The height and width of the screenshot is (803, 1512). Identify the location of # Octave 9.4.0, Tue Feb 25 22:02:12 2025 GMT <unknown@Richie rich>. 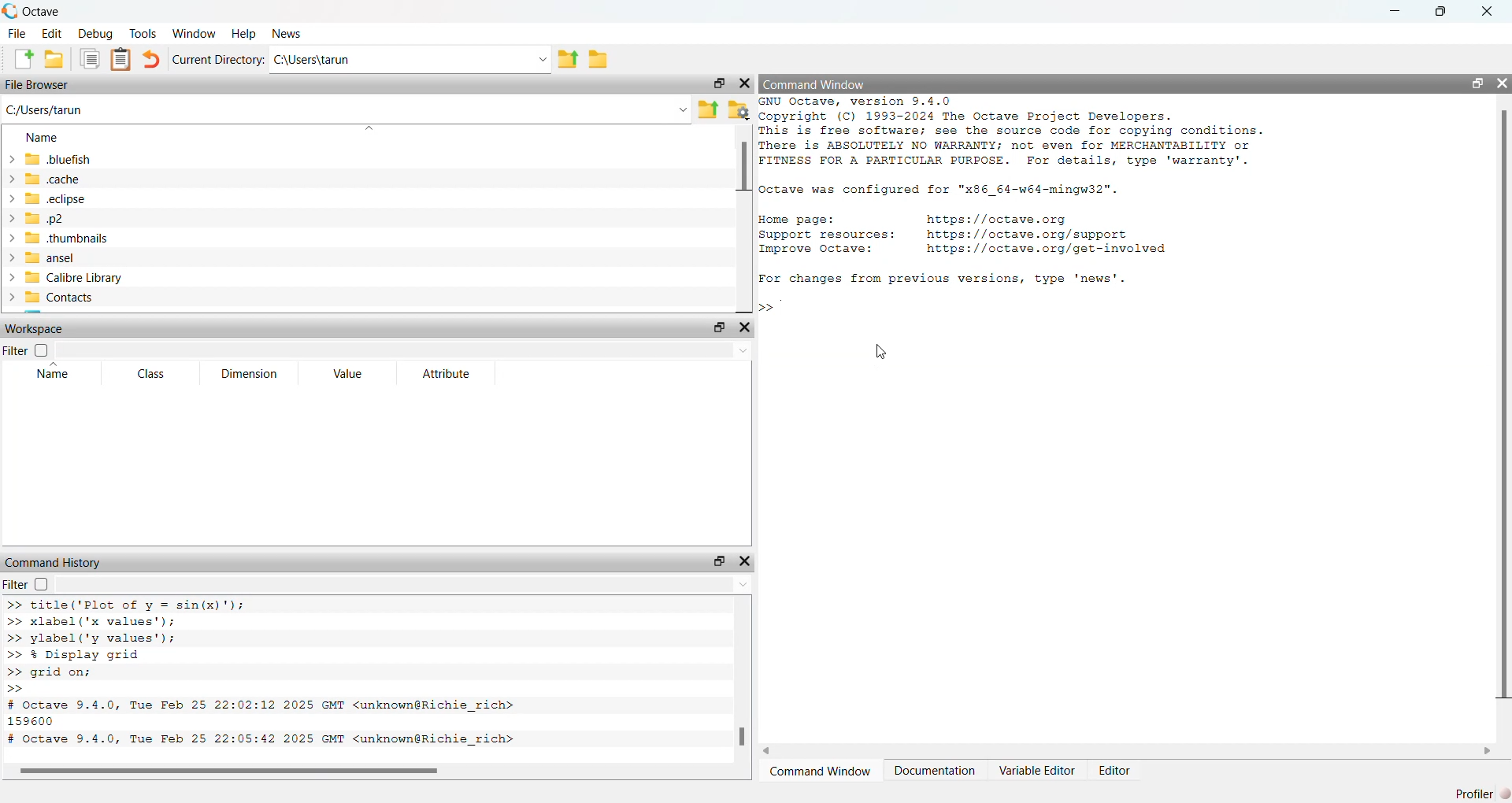
(266, 705).